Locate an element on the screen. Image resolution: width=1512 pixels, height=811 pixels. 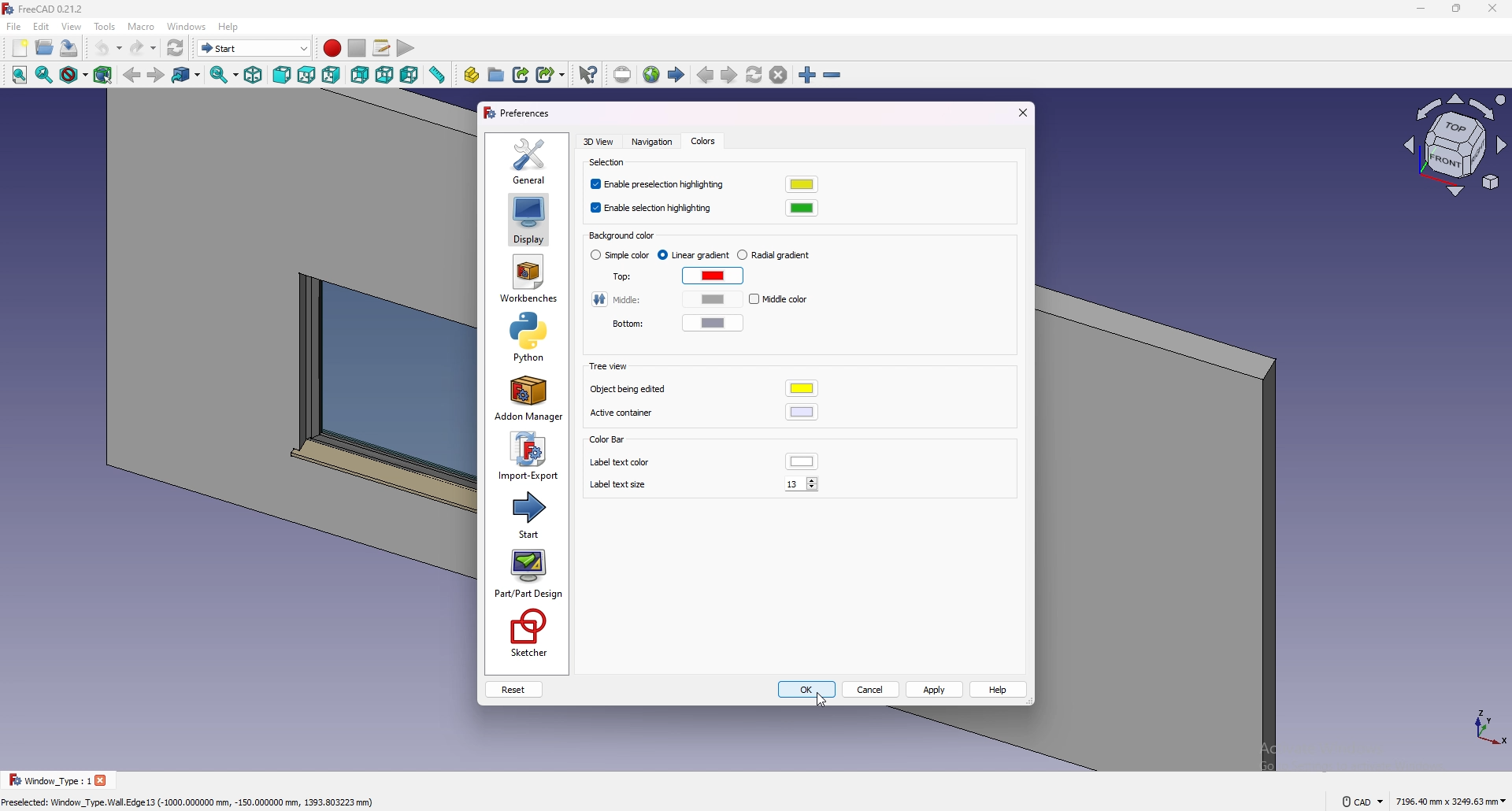
cad is located at coordinates (1362, 800).